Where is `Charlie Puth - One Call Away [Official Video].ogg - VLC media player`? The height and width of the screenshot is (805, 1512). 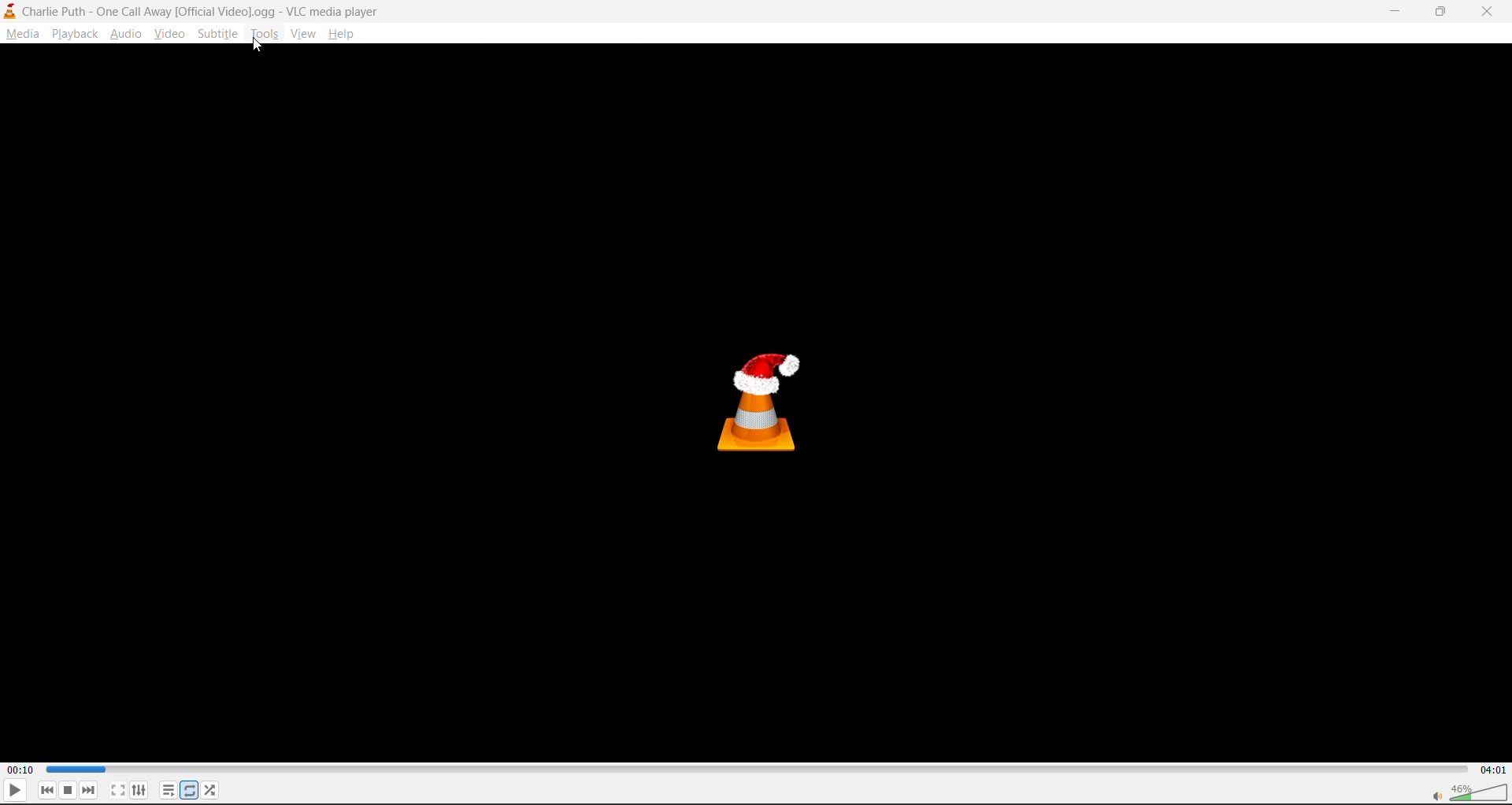 Charlie Puth - One Call Away [Official Video].ogg - VLC media player is located at coordinates (198, 10).